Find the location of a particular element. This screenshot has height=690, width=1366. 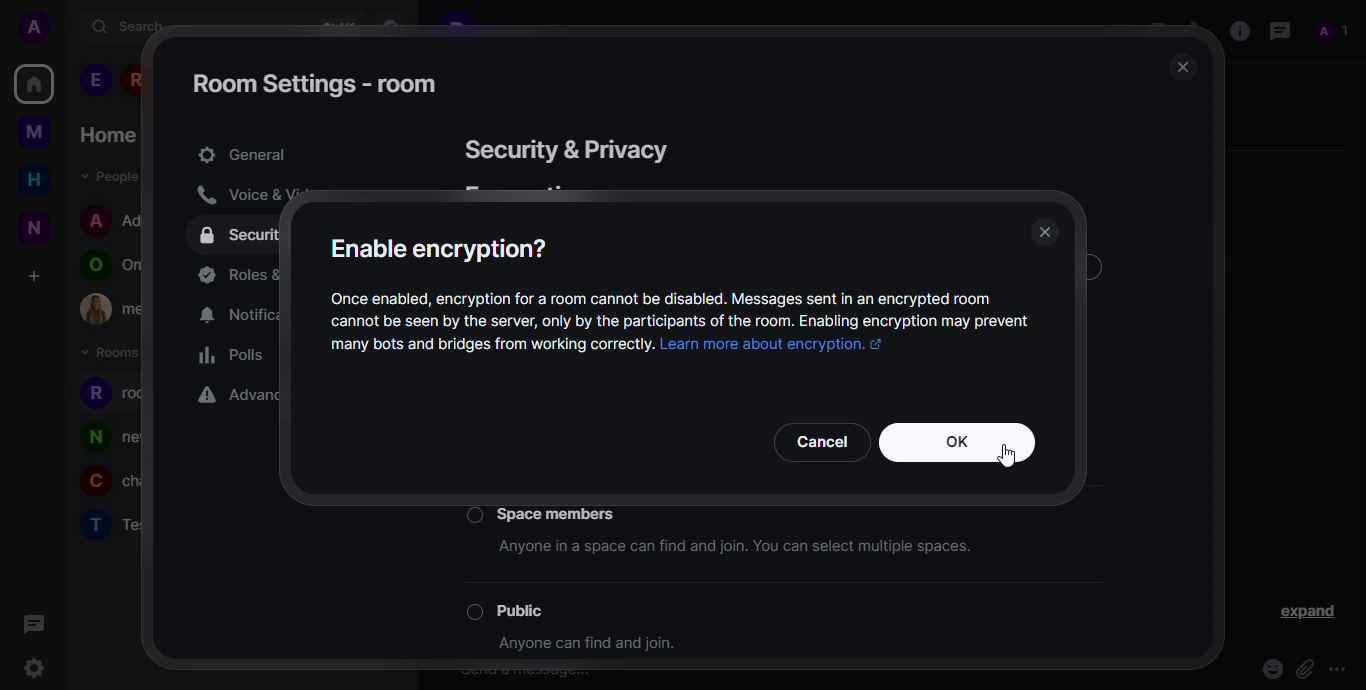

enable is located at coordinates (437, 248).